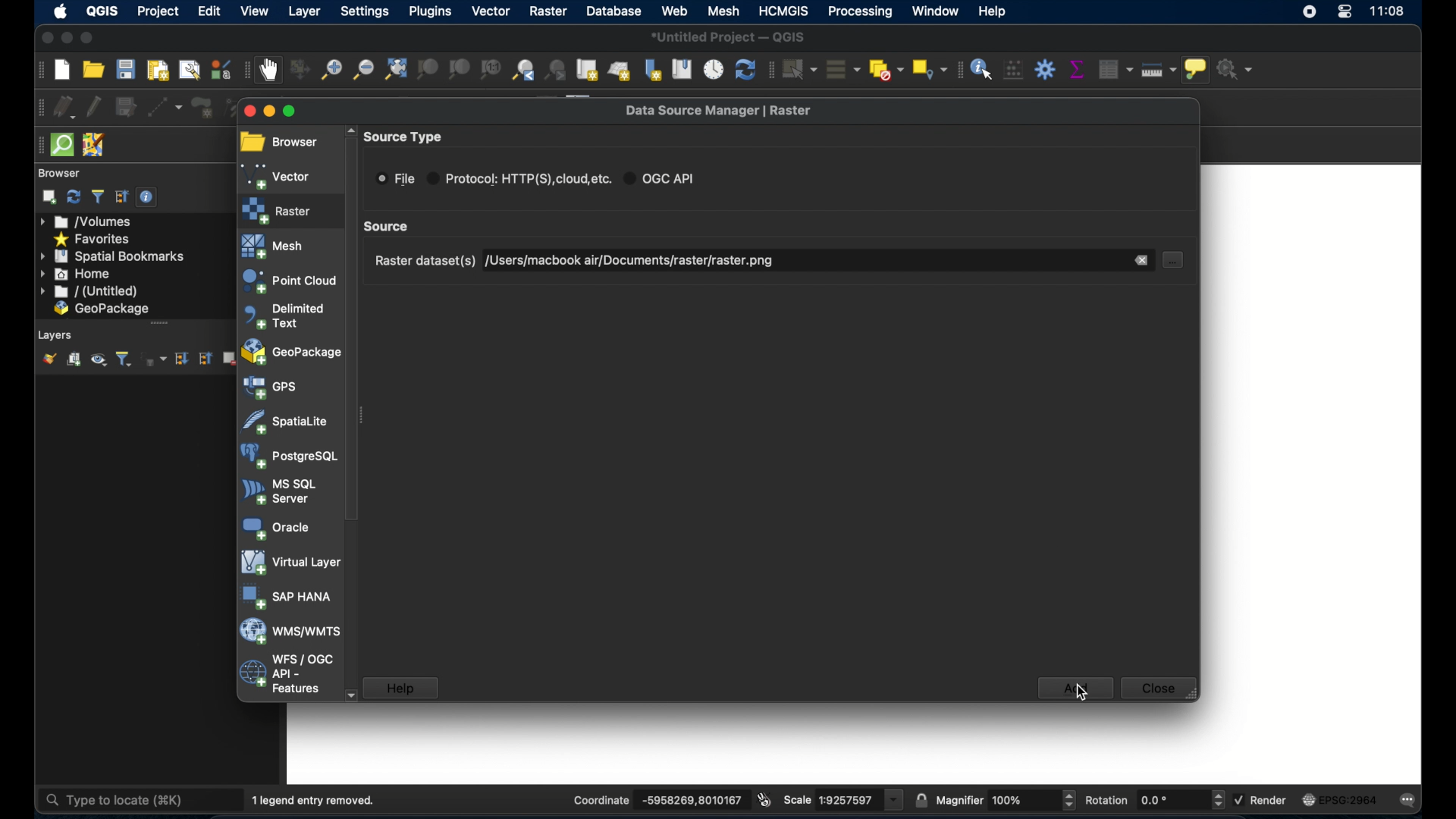 This screenshot has width=1456, height=819. I want to click on collapse all, so click(120, 196).